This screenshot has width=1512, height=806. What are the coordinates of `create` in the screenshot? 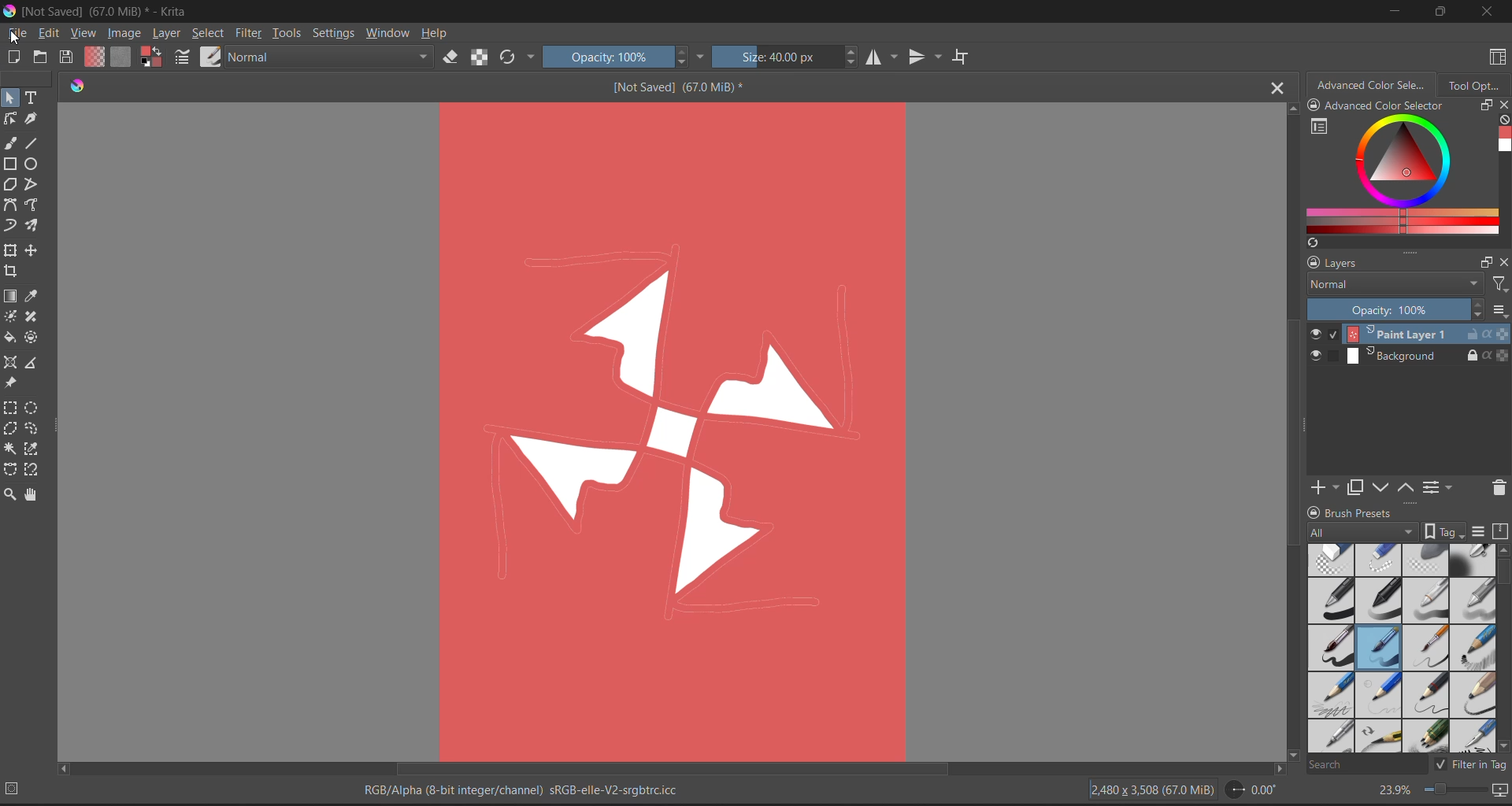 It's located at (11, 57).